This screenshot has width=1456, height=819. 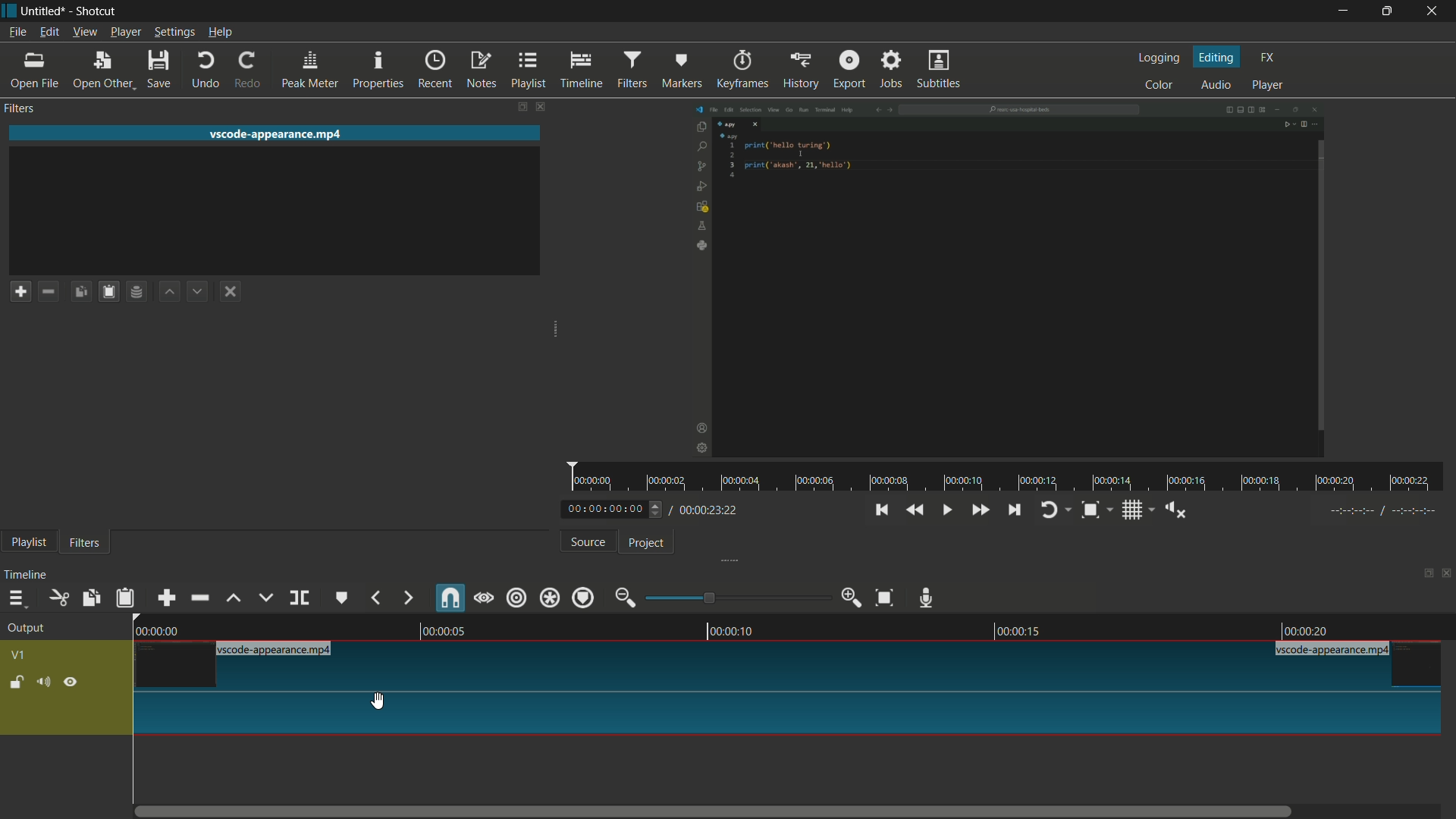 What do you see at coordinates (86, 542) in the screenshot?
I see `filters` at bounding box center [86, 542].